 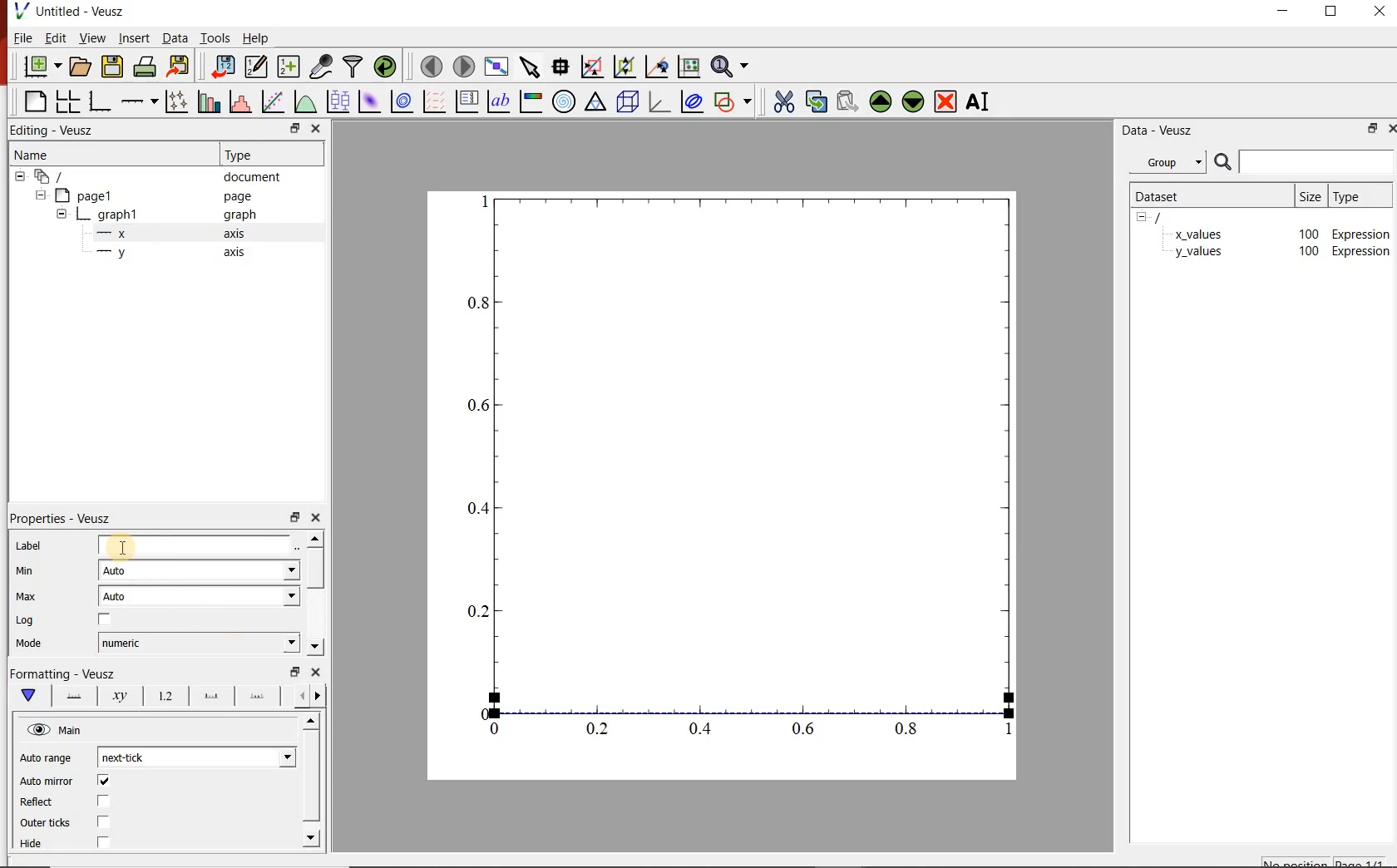 What do you see at coordinates (113, 66) in the screenshot?
I see `save` at bounding box center [113, 66].